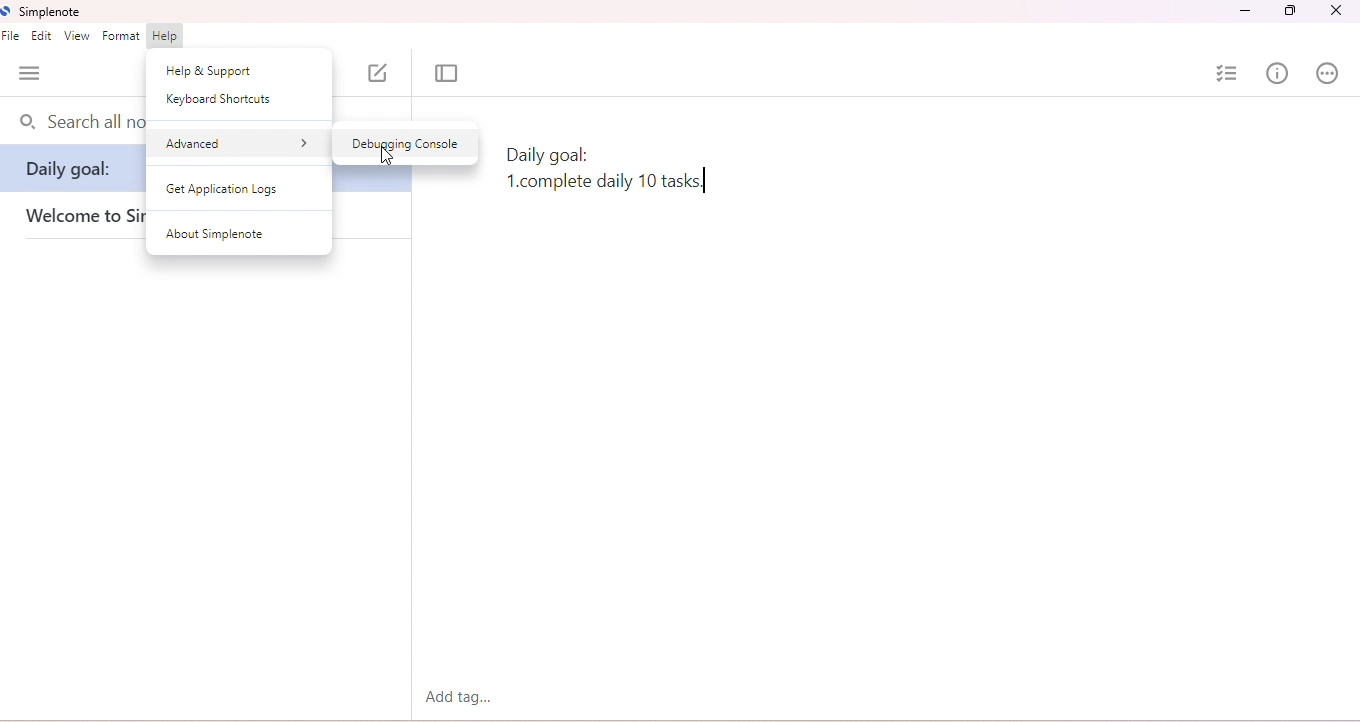 This screenshot has height=722, width=1360. What do you see at coordinates (76, 123) in the screenshot?
I see `search bar` at bounding box center [76, 123].